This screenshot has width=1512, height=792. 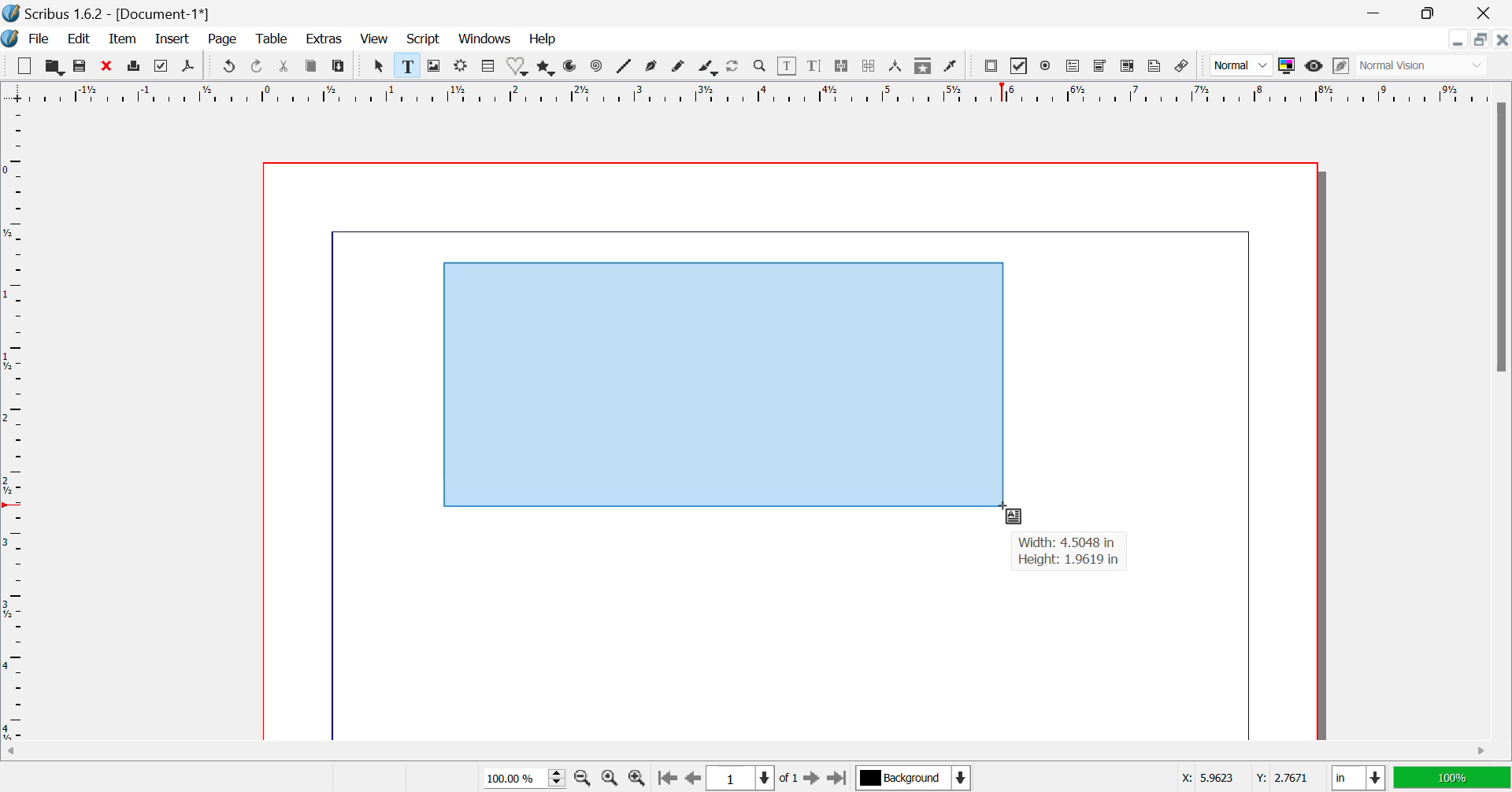 What do you see at coordinates (228, 68) in the screenshot?
I see `Undo` at bounding box center [228, 68].